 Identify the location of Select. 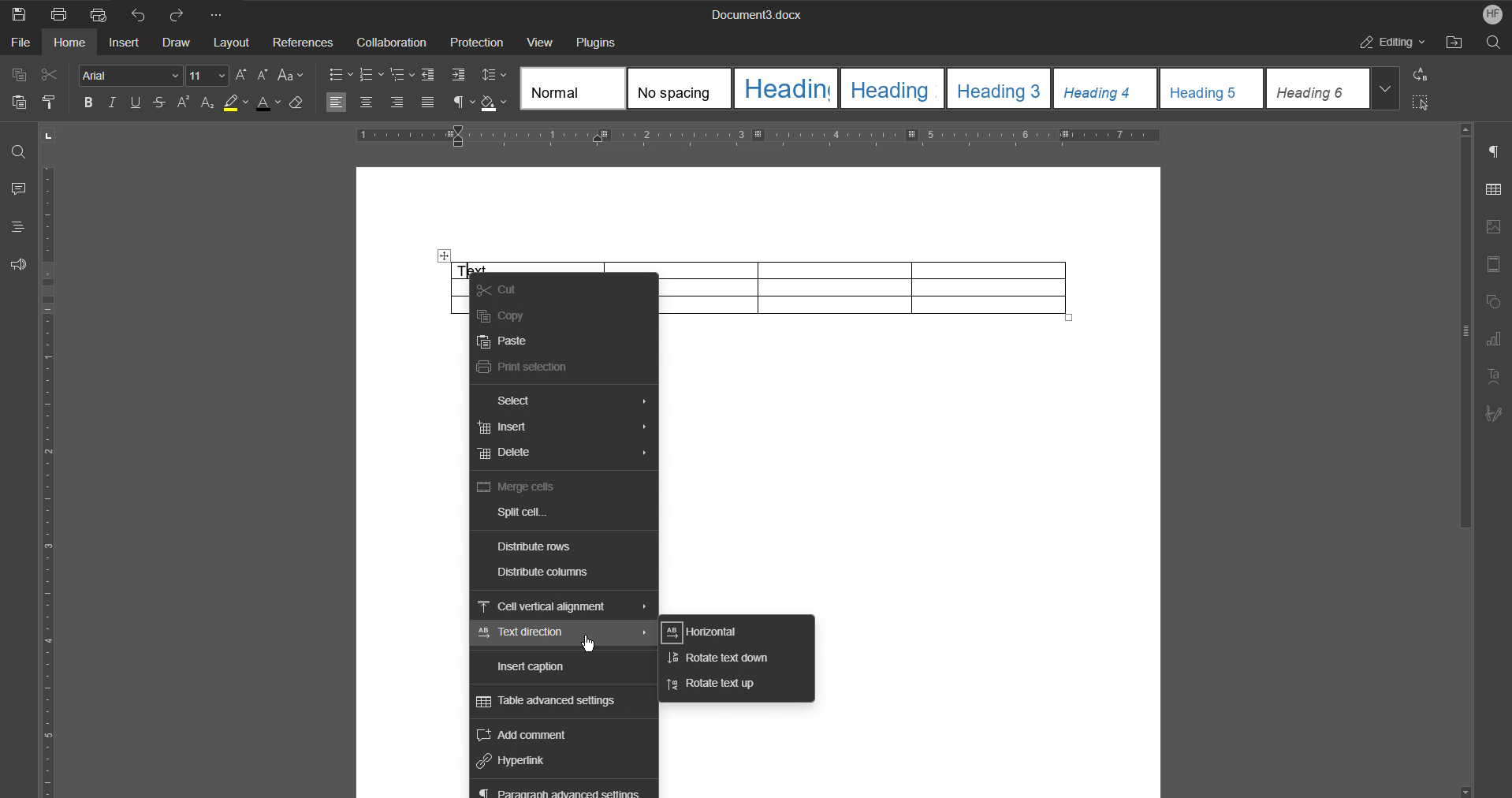
(524, 401).